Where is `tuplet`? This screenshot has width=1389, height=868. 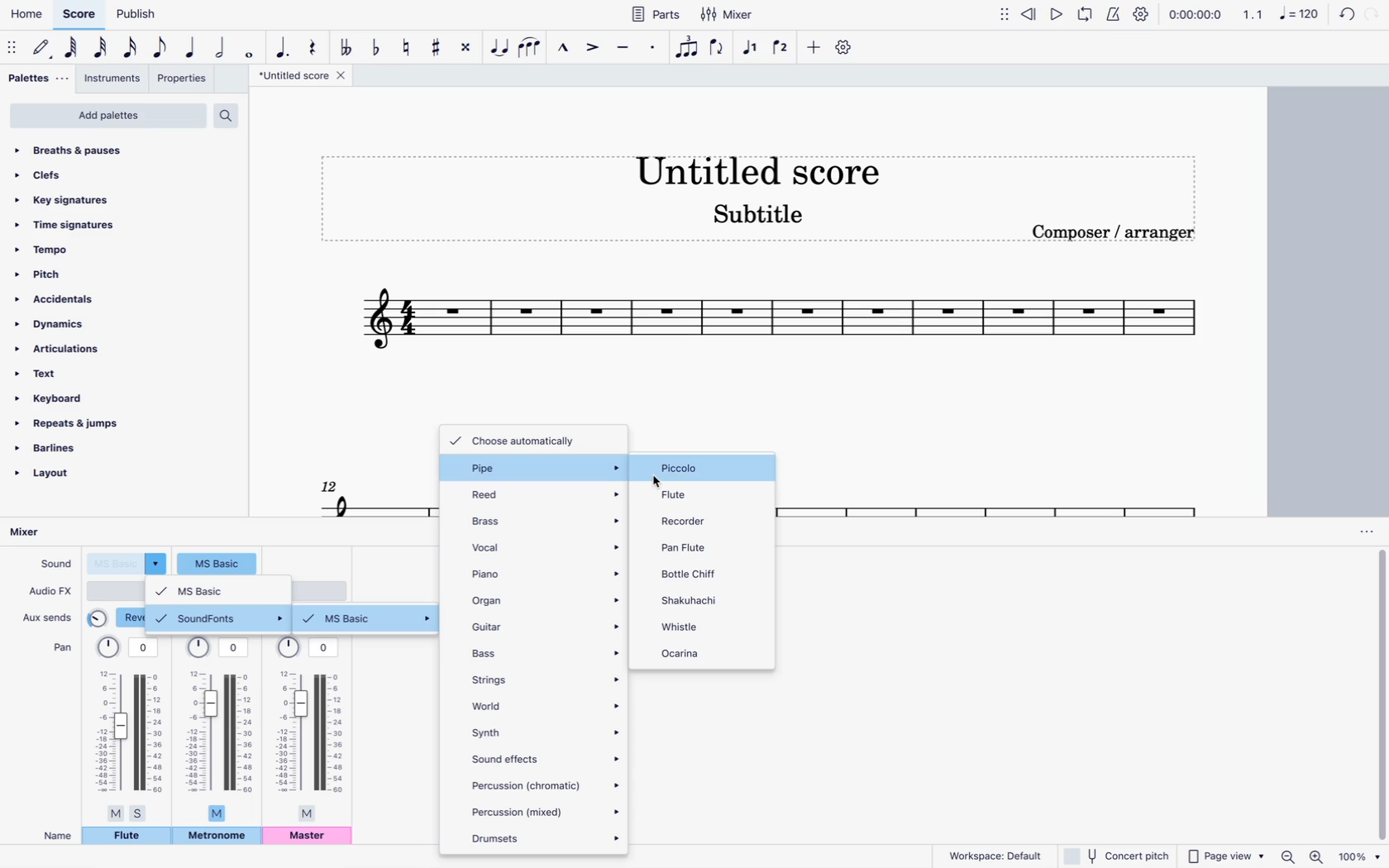
tuplet is located at coordinates (688, 51).